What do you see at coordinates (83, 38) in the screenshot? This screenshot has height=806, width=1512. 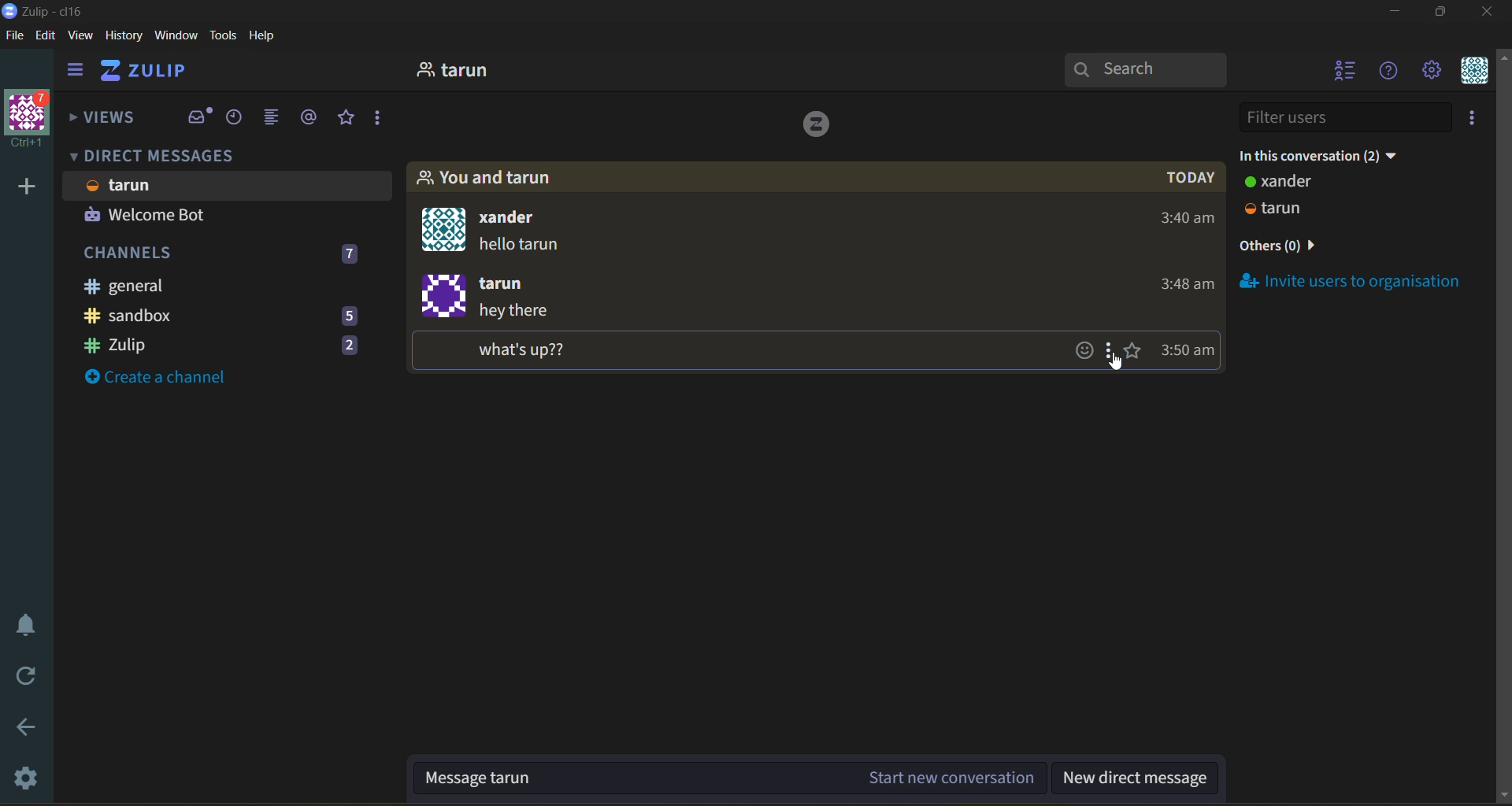 I see `view` at bounding box center [83, 38].